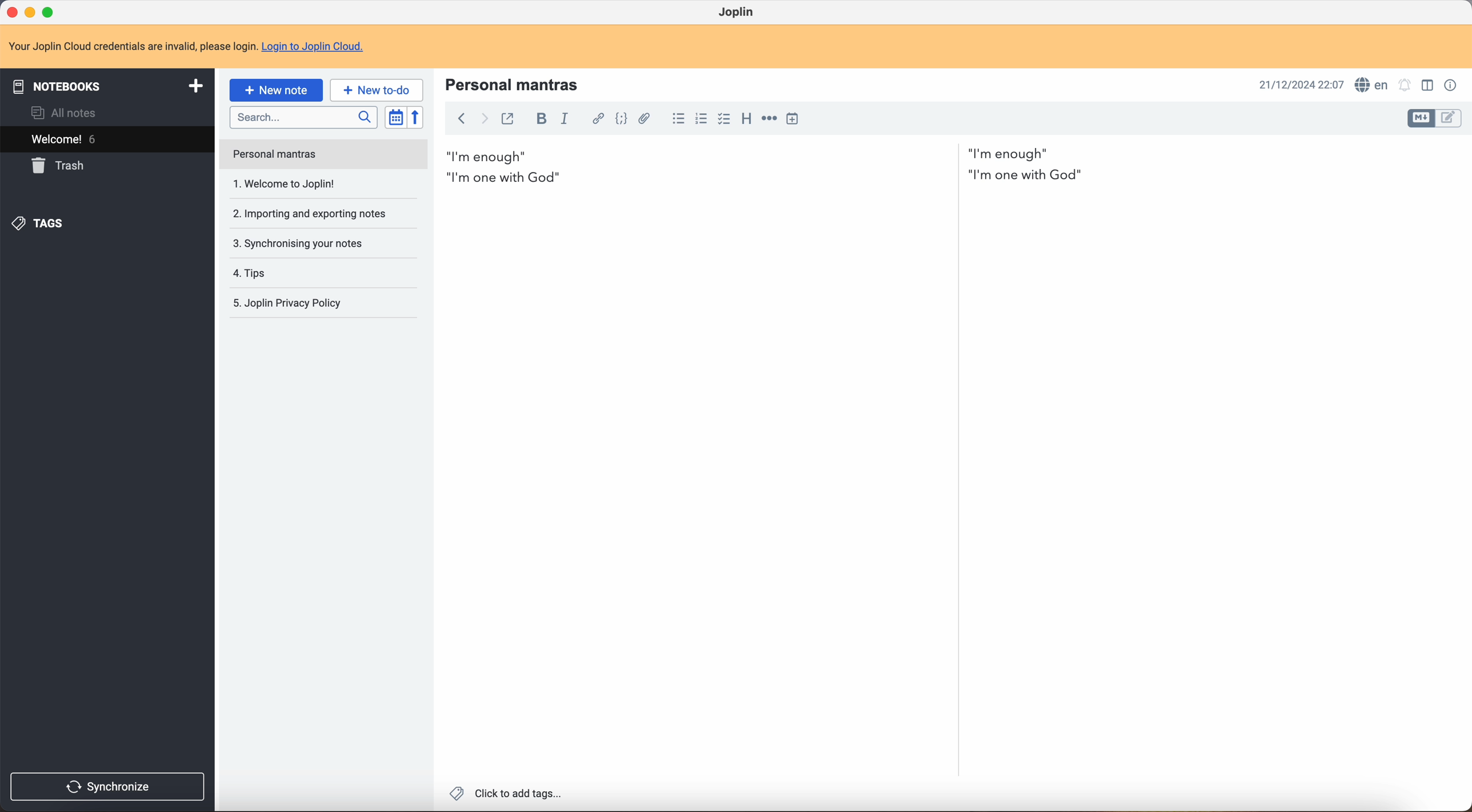 The height and width of the screenshot is (812, 1472). What do you see at coordinates (1430, 85) in the screenshot?
I see `toggle edit layout` at bounding box center [1430, 85].